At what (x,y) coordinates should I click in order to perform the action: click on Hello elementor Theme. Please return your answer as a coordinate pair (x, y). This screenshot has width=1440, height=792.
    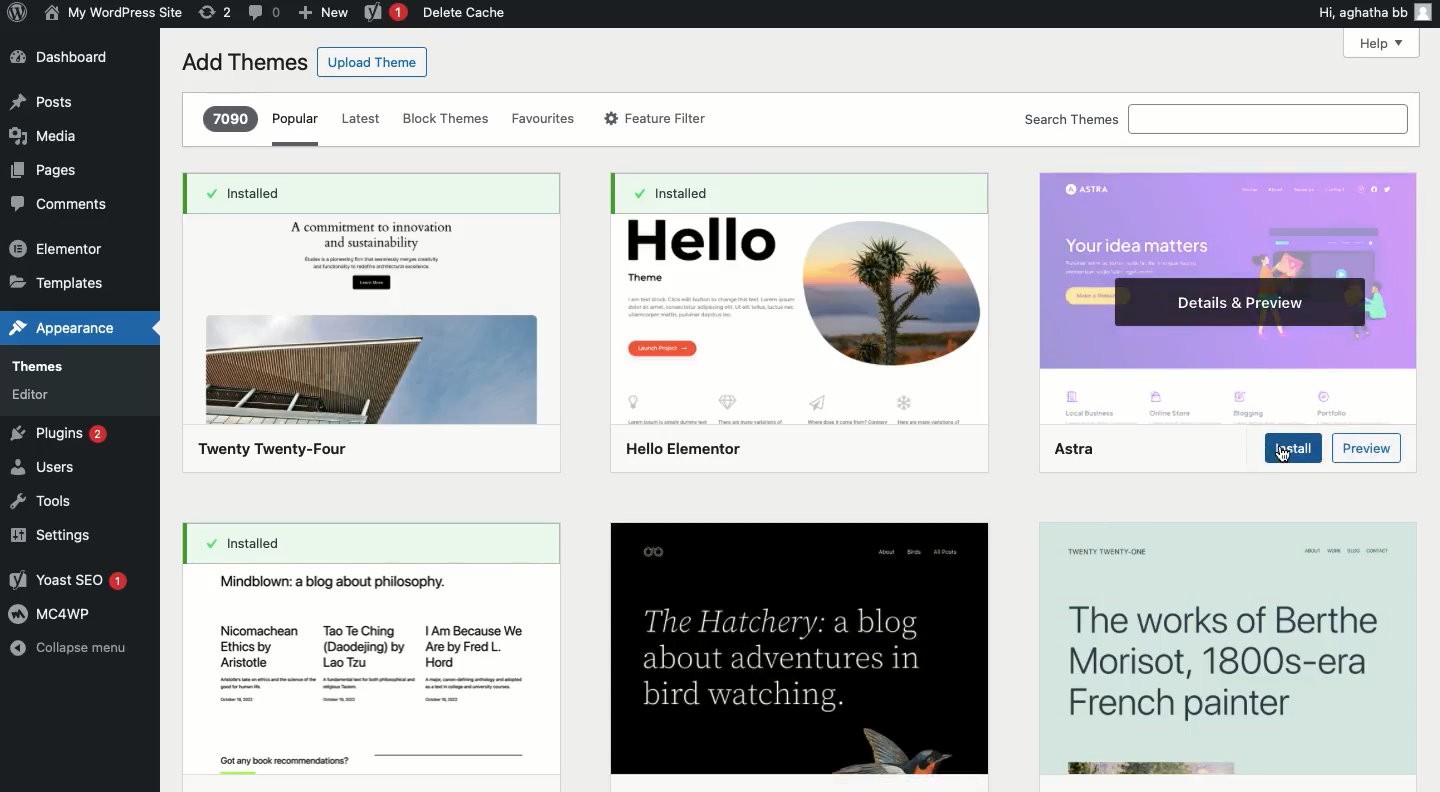
    Looking at the image, I should click on (796, 345).